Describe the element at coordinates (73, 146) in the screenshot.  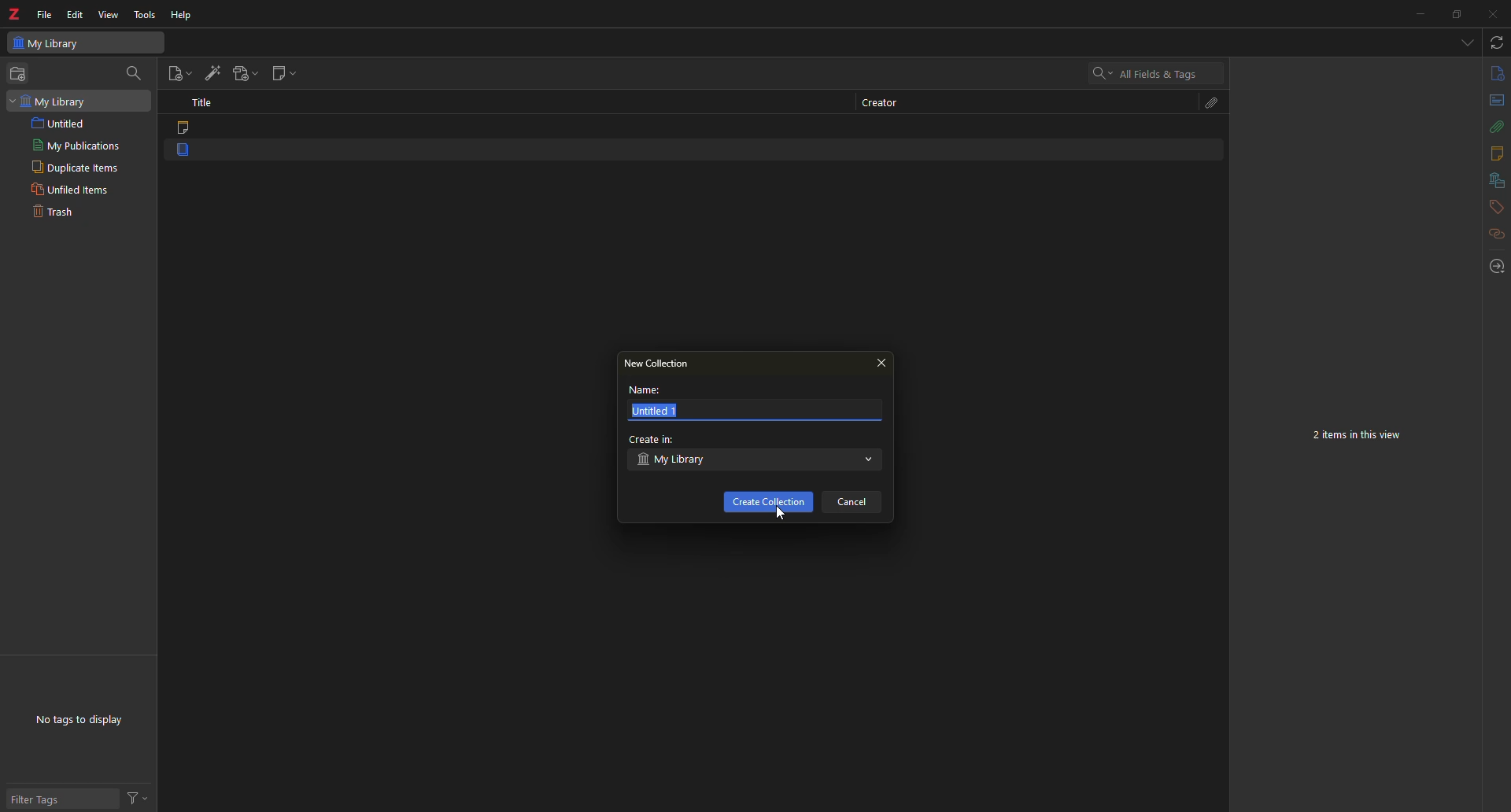
I see `my publications` at that location.